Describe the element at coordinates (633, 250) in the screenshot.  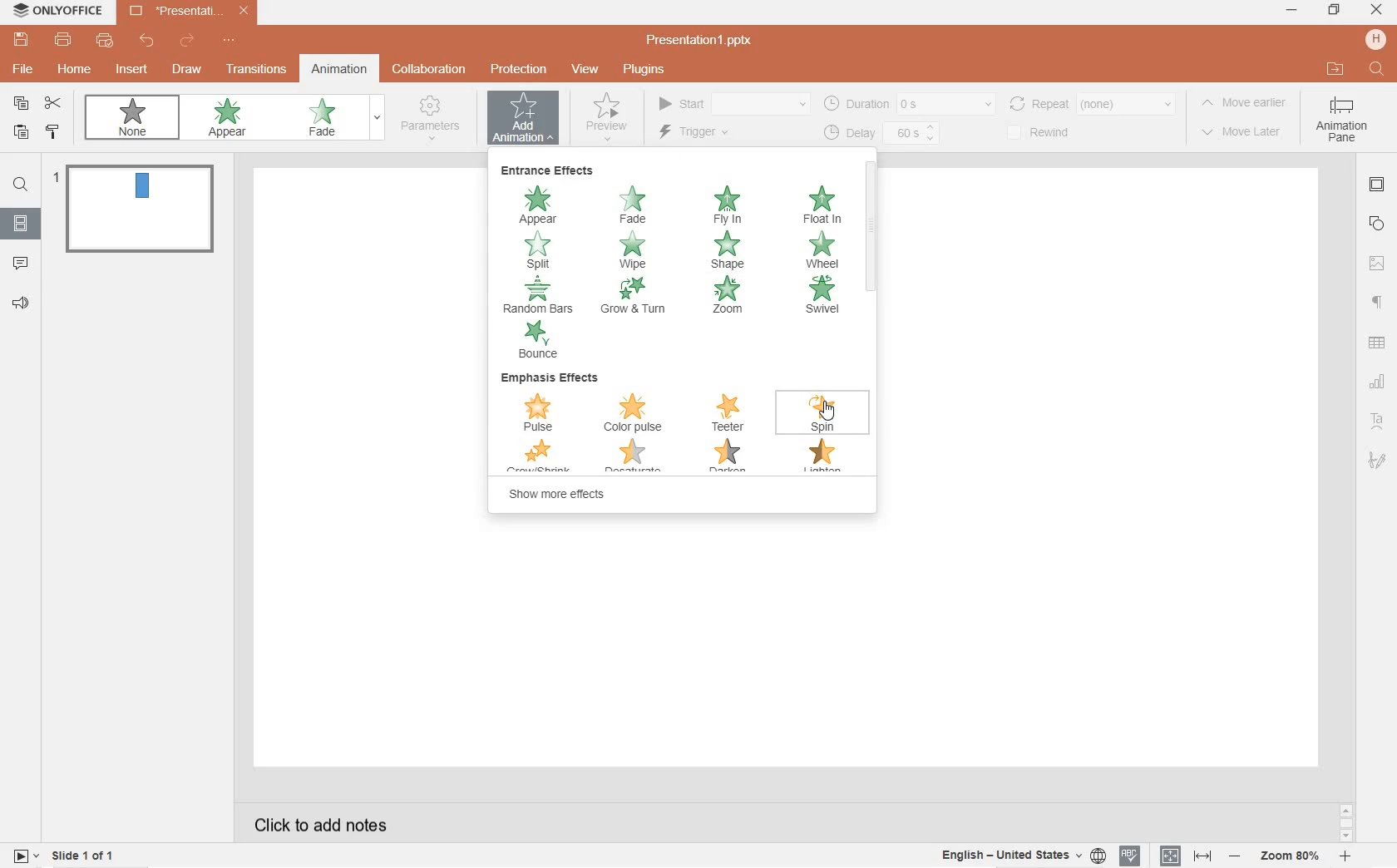
I see `wipe` at that location.